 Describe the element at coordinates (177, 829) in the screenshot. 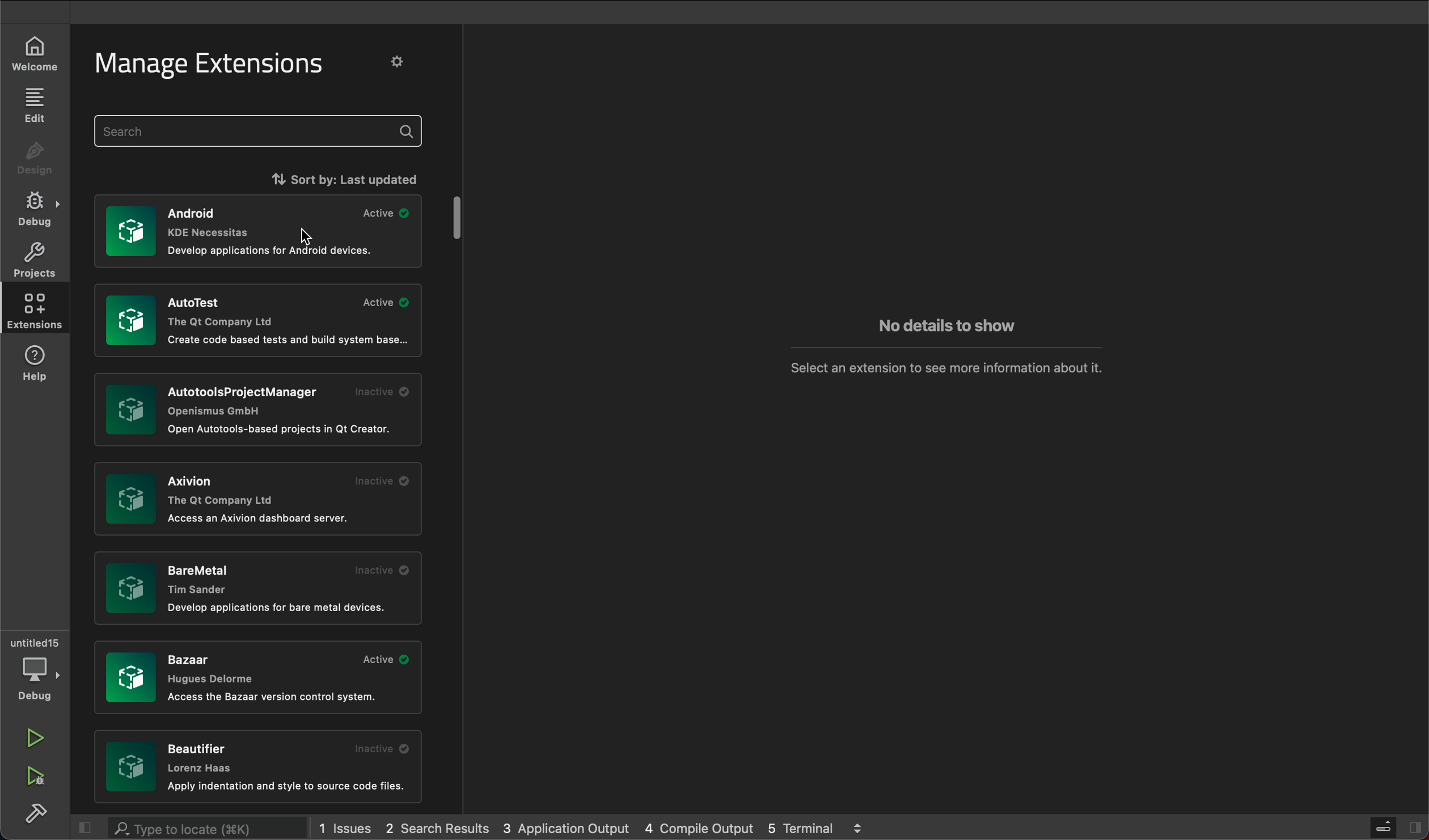

I see `search` at that location.